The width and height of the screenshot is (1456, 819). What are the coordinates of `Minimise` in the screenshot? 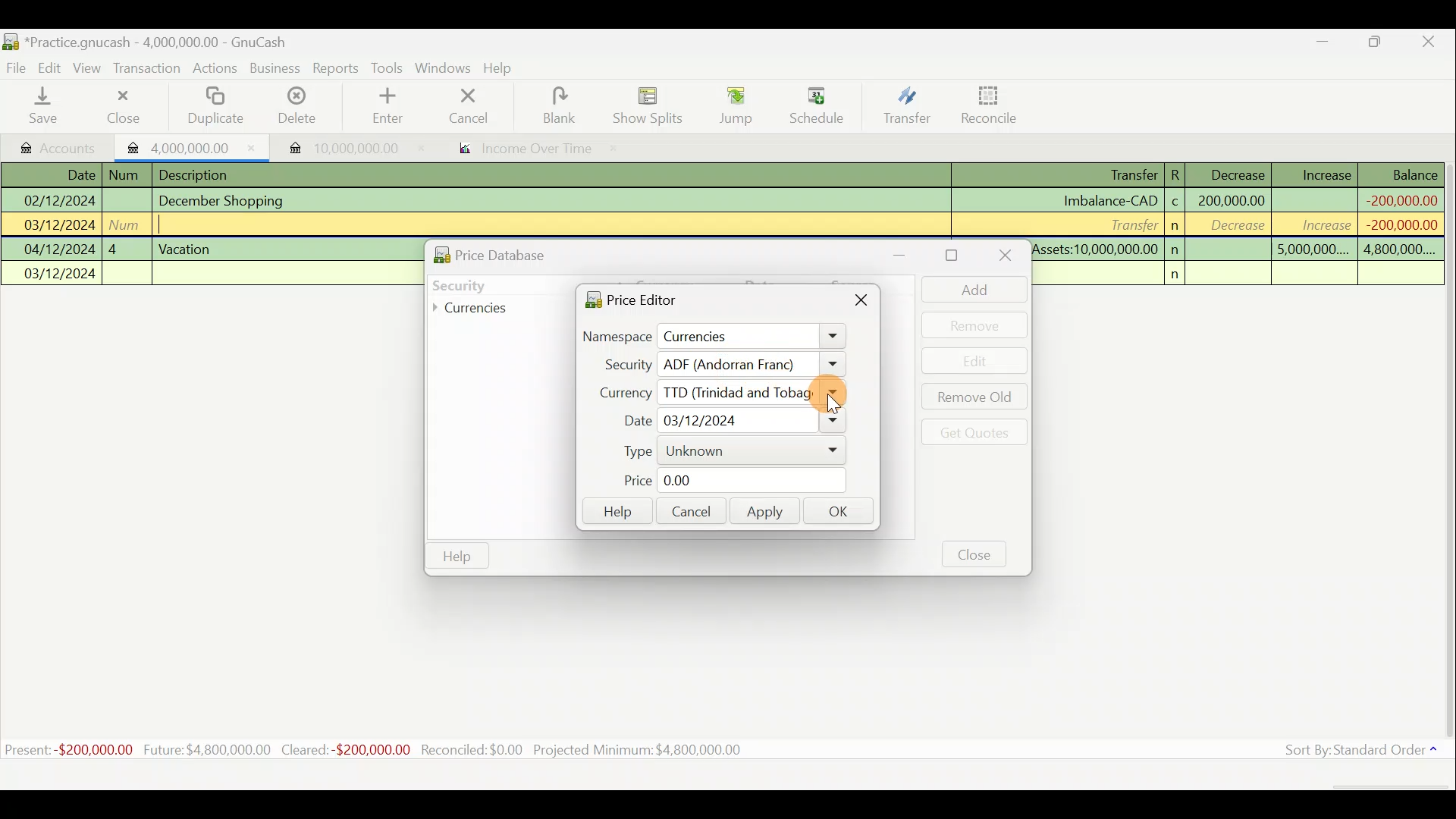 It's located at (1325, 45).